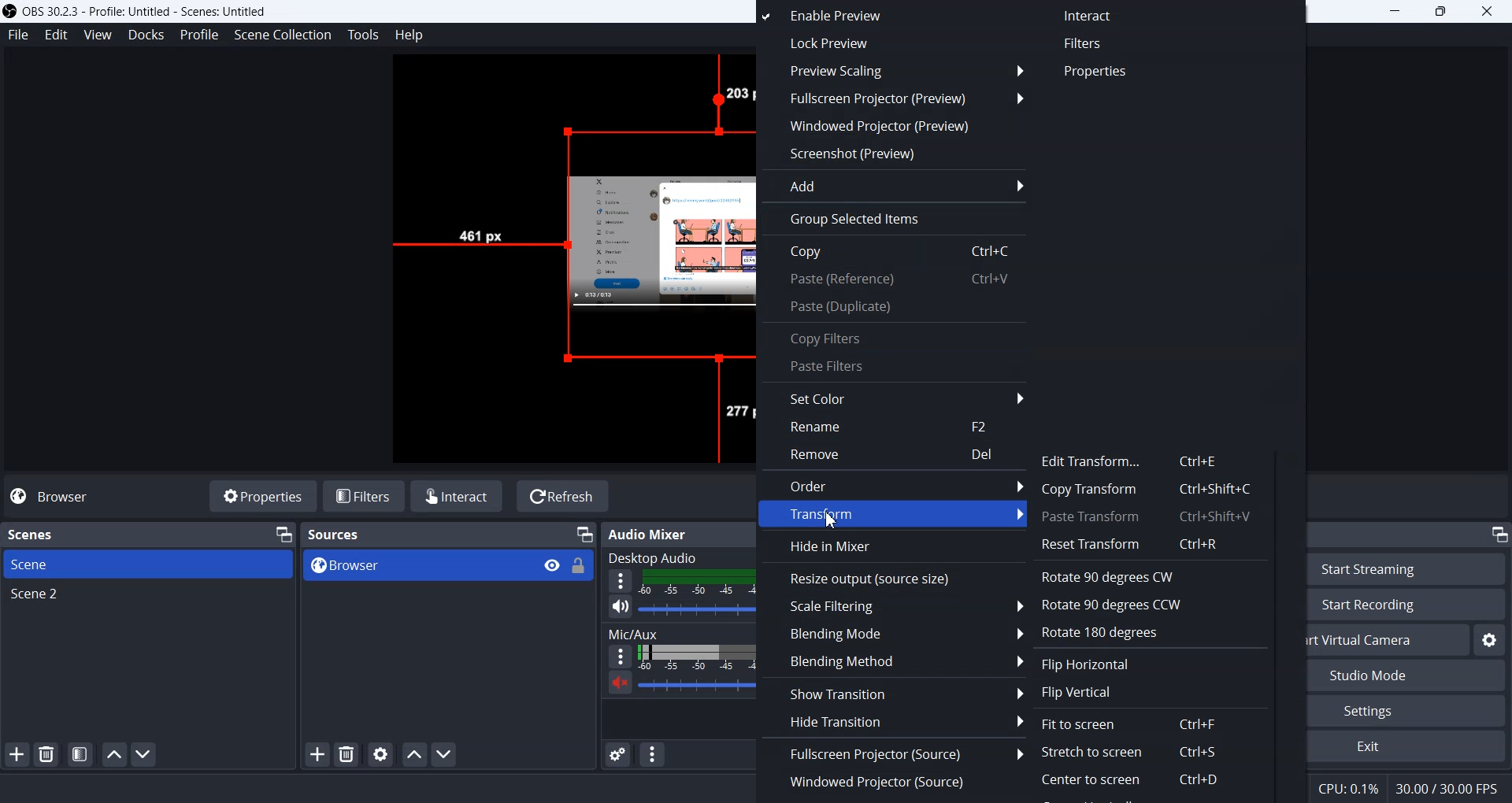 Image resolution: width=1512 pixels, height=803 pixels. I want to click on Move sources up, so click(413, 753).